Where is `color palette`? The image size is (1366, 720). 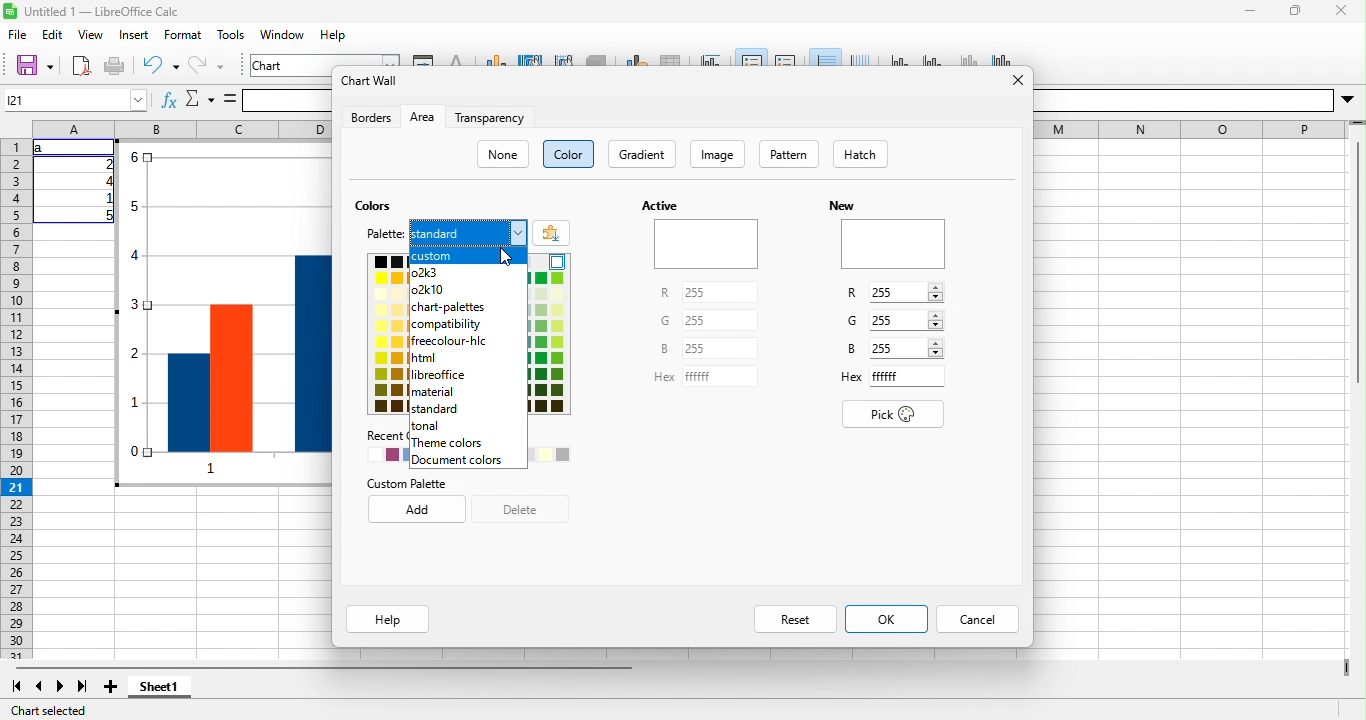 color palette is located at coordinates (551, 334).